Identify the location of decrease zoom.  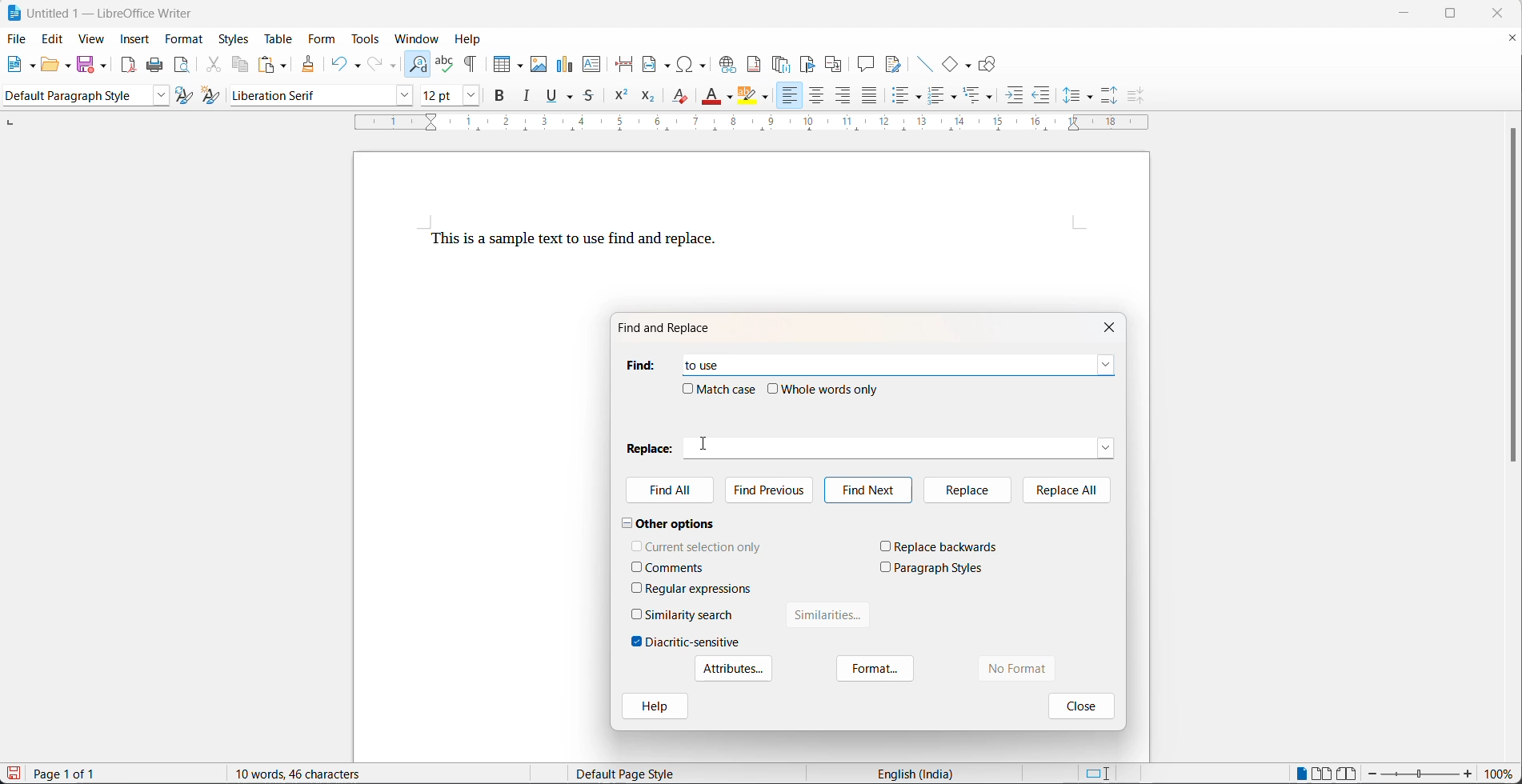
(1372, 774).